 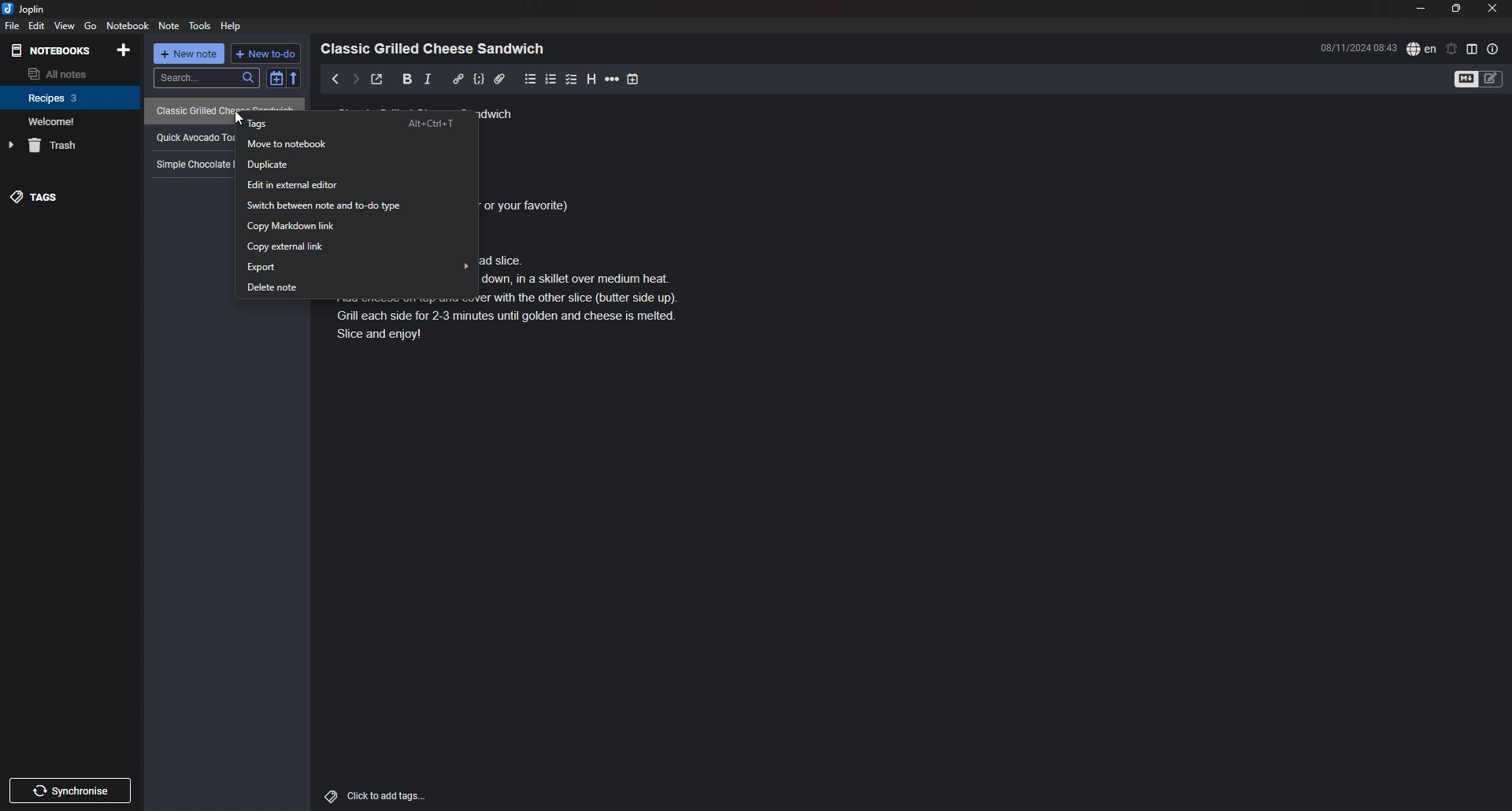 What do you see at coordinates (357, 123) in the screenshot?
I see `tags` at bounding box center [357, 123].